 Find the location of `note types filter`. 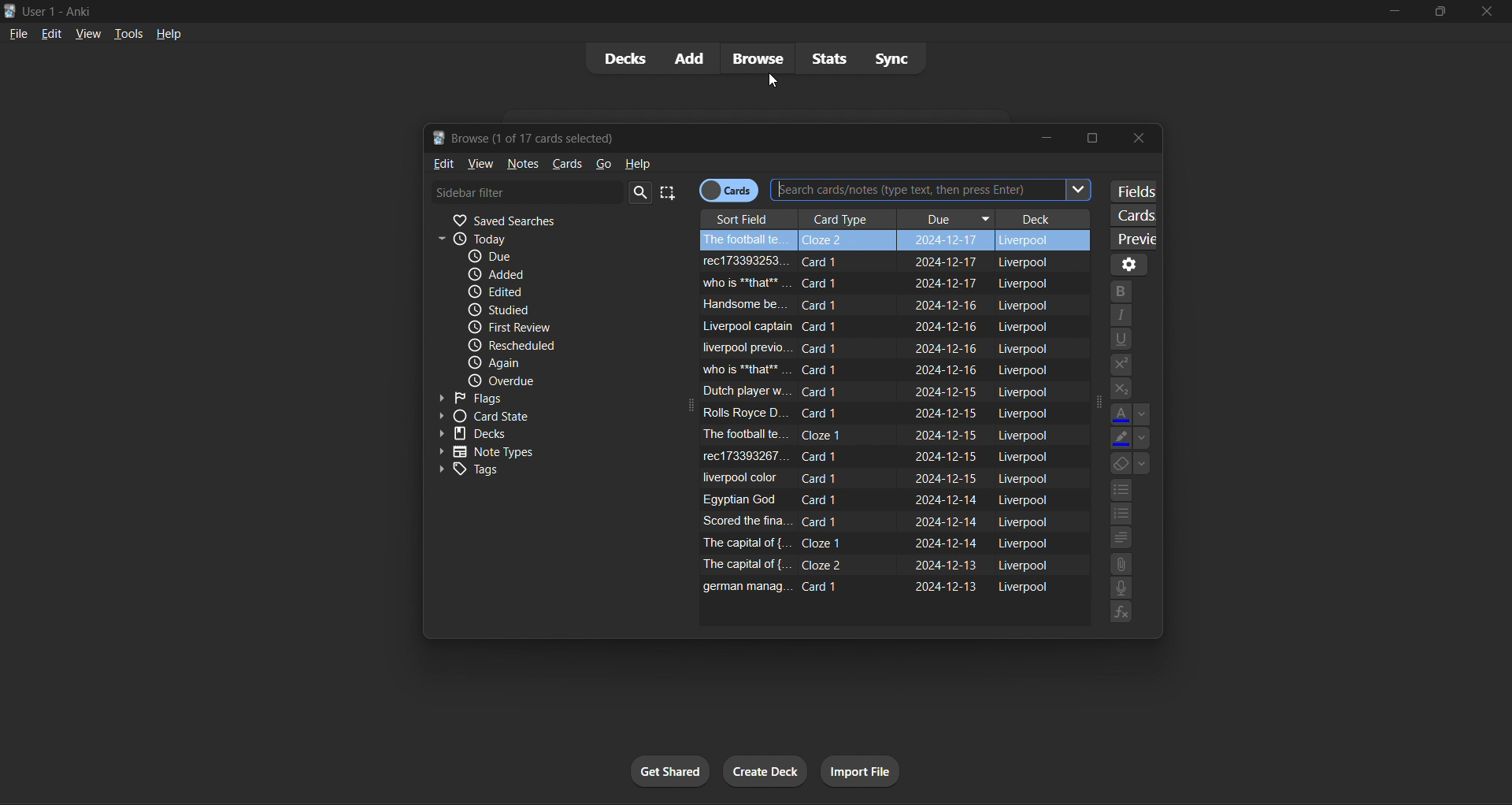

note types filter is located at coordinates (534, 451).